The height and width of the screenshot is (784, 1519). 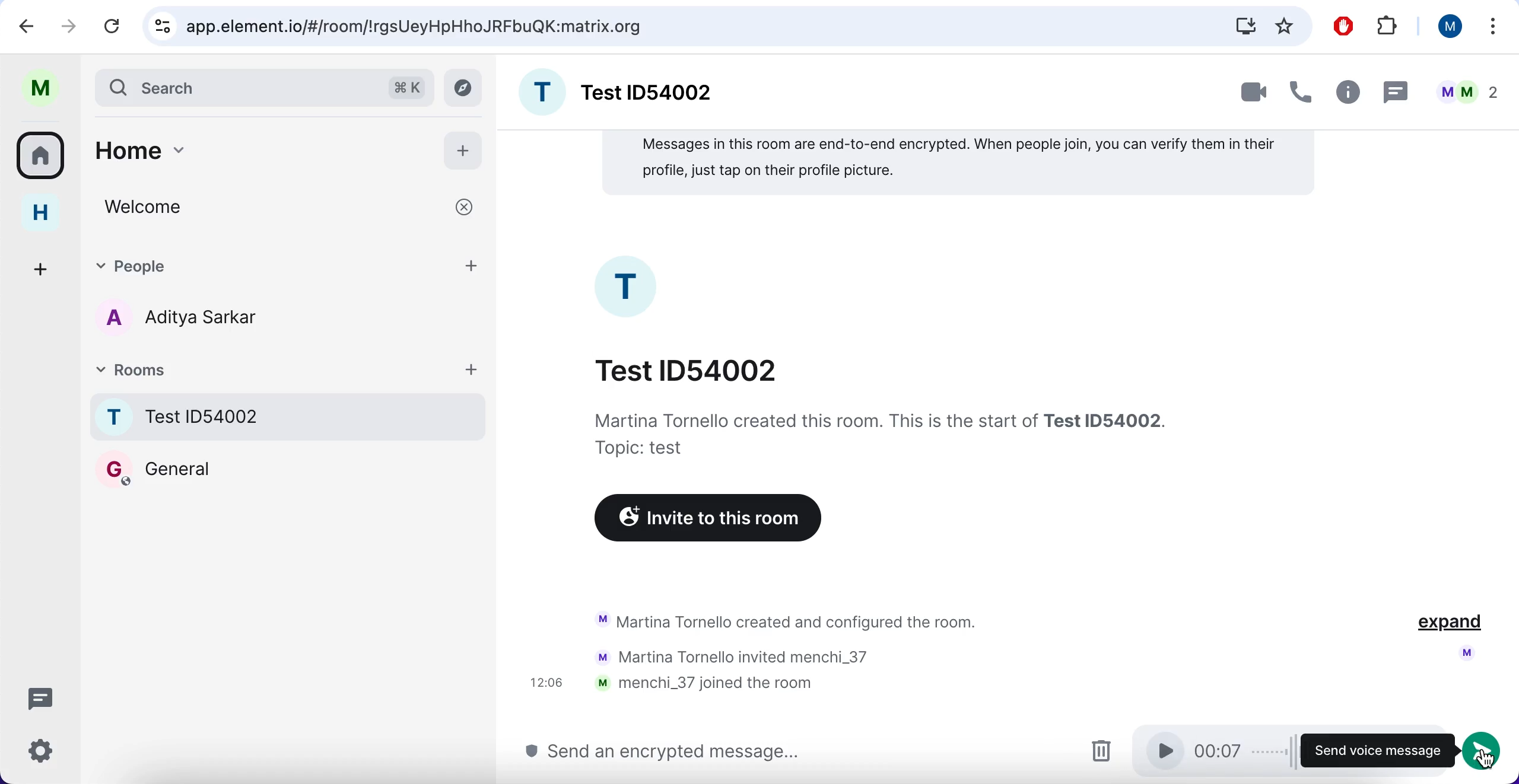 What do you see at coordinates (629, 286) in the screenshot?
I see `profile picture` at bounding box center [629, 286].